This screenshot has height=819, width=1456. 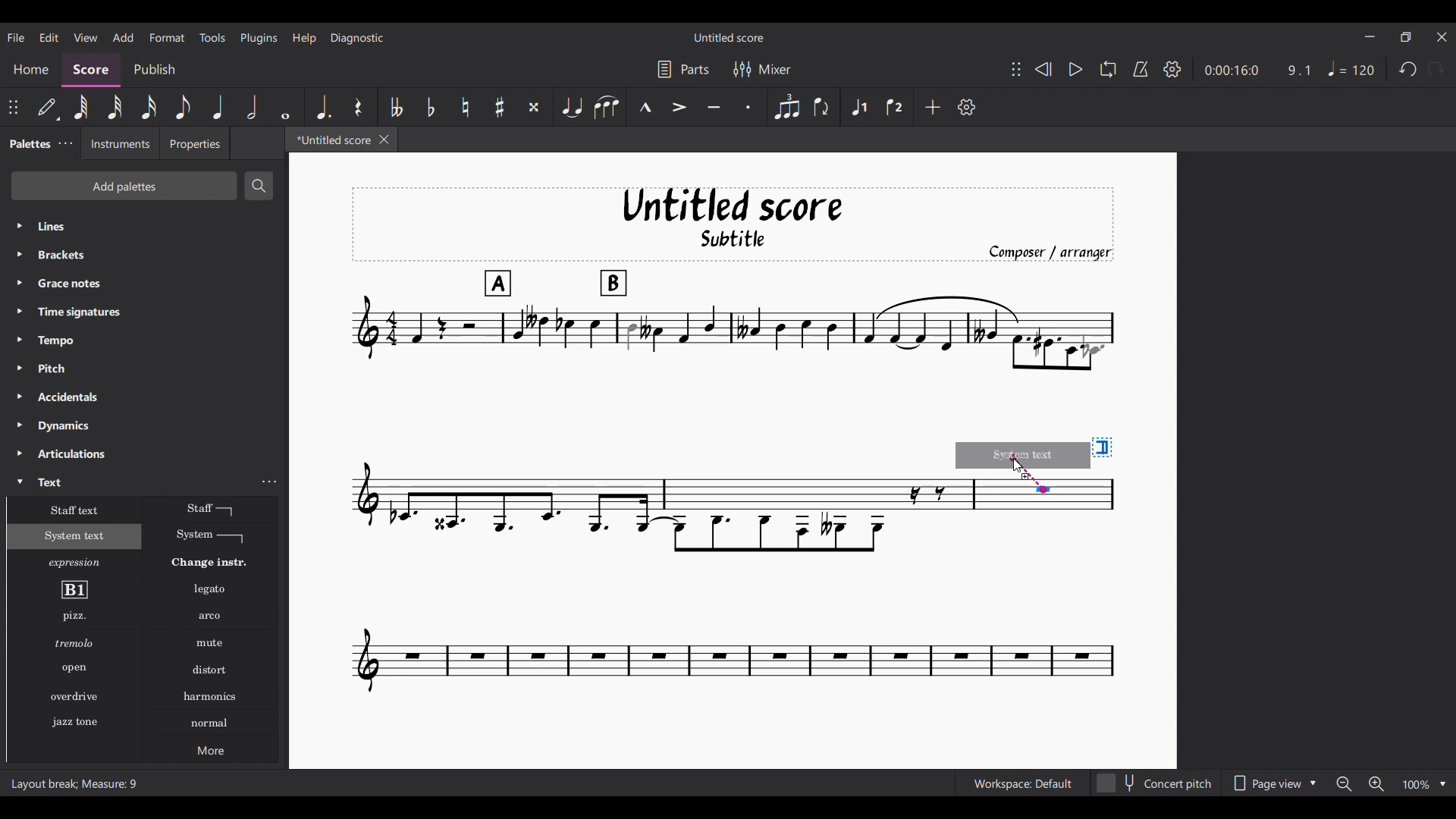 I want to click on Add menu, so click(x=124, y=37).